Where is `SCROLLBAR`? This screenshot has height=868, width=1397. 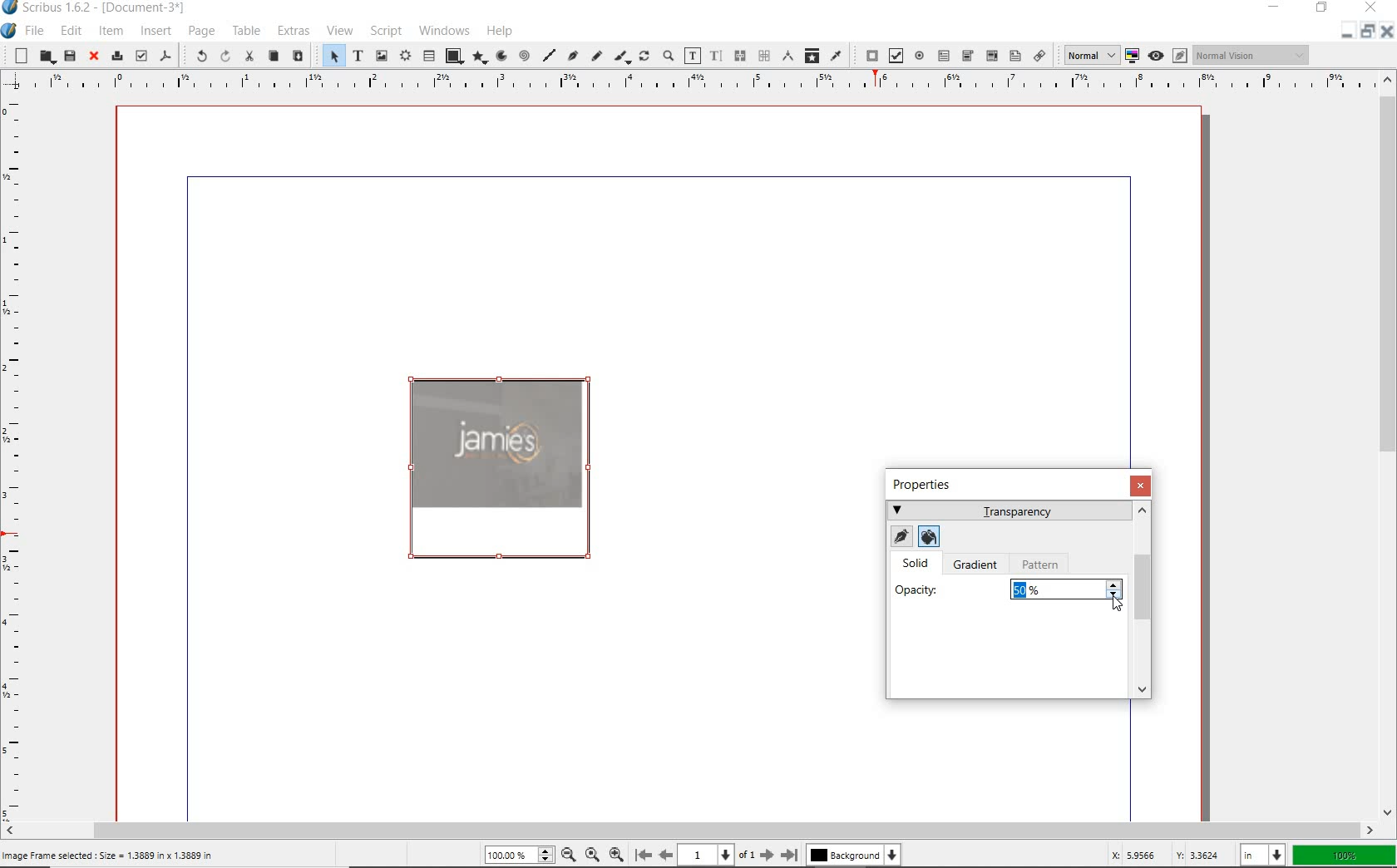
SCROLLBAR is located at coordinates (689, 830).